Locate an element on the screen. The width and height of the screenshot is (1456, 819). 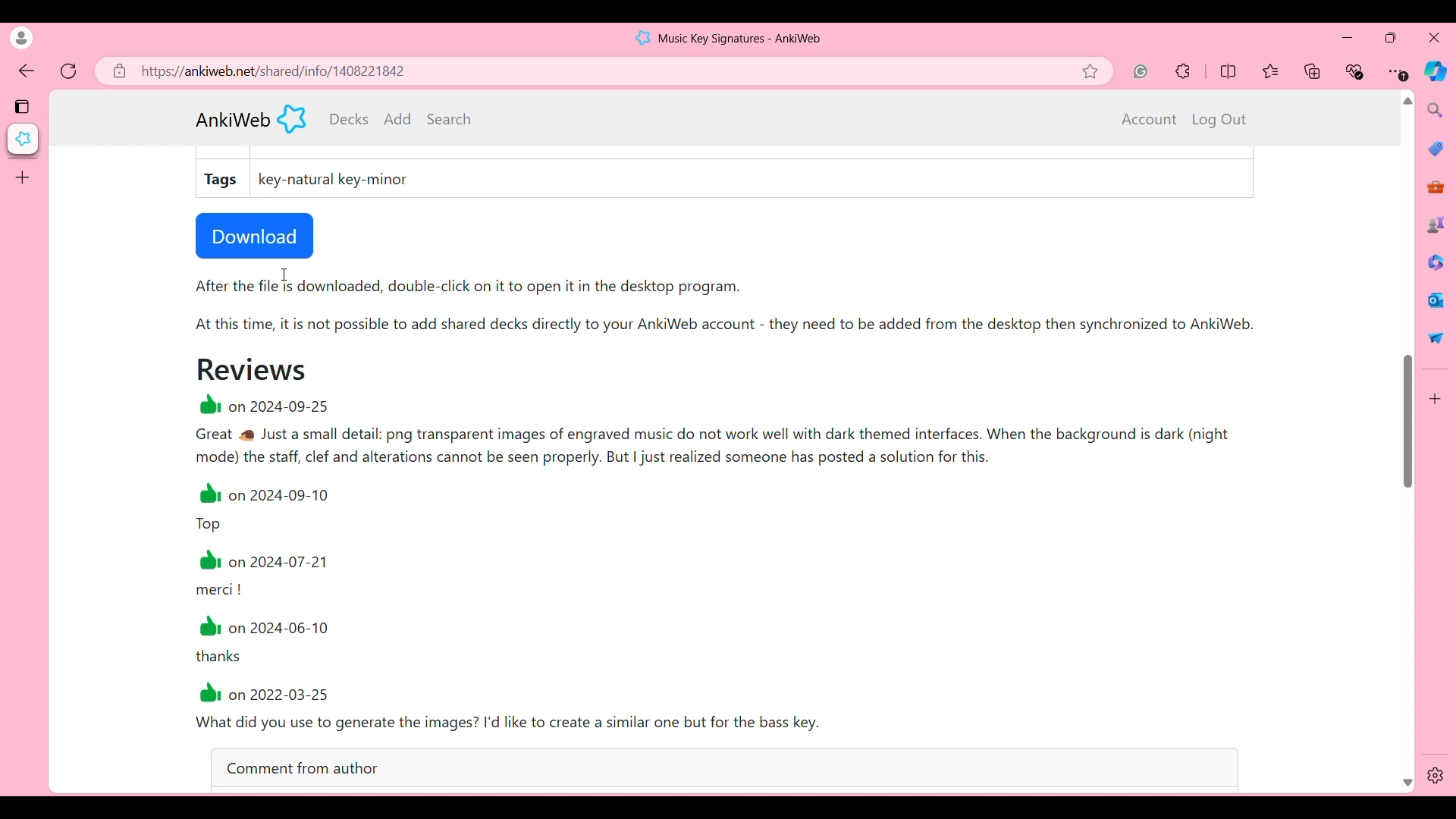
@1 on 2024-09-25

Great Just a small detail: png transparent images of engraved music do not work well with dark themed interfaces. When the background is dark (night
mode) the staff, clef and alterations cannot be seen properly. But | just realized someone has posted a solution for this.
1 on 2024-09-10

Top

1 on 2024-07-21

merci !

1 on 2024-06-10

thanks

#1 on 2022-03-25

What did you use to generate the images? I'd like to create a similar one but for the bass key. is located at coordinates (748, 567).